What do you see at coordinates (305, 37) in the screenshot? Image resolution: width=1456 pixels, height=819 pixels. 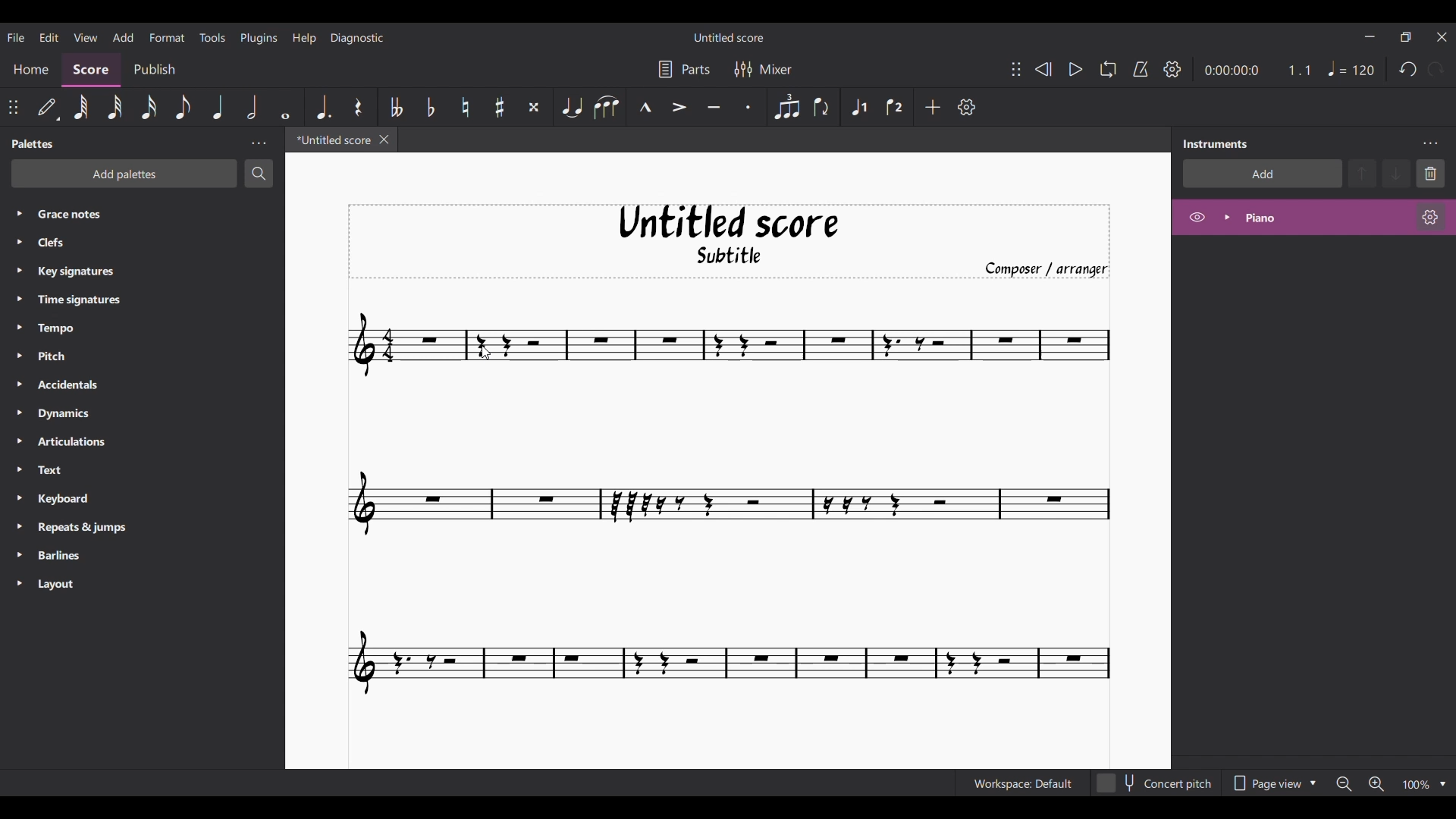 I see `Help menu` at bounding box center [305, 37].